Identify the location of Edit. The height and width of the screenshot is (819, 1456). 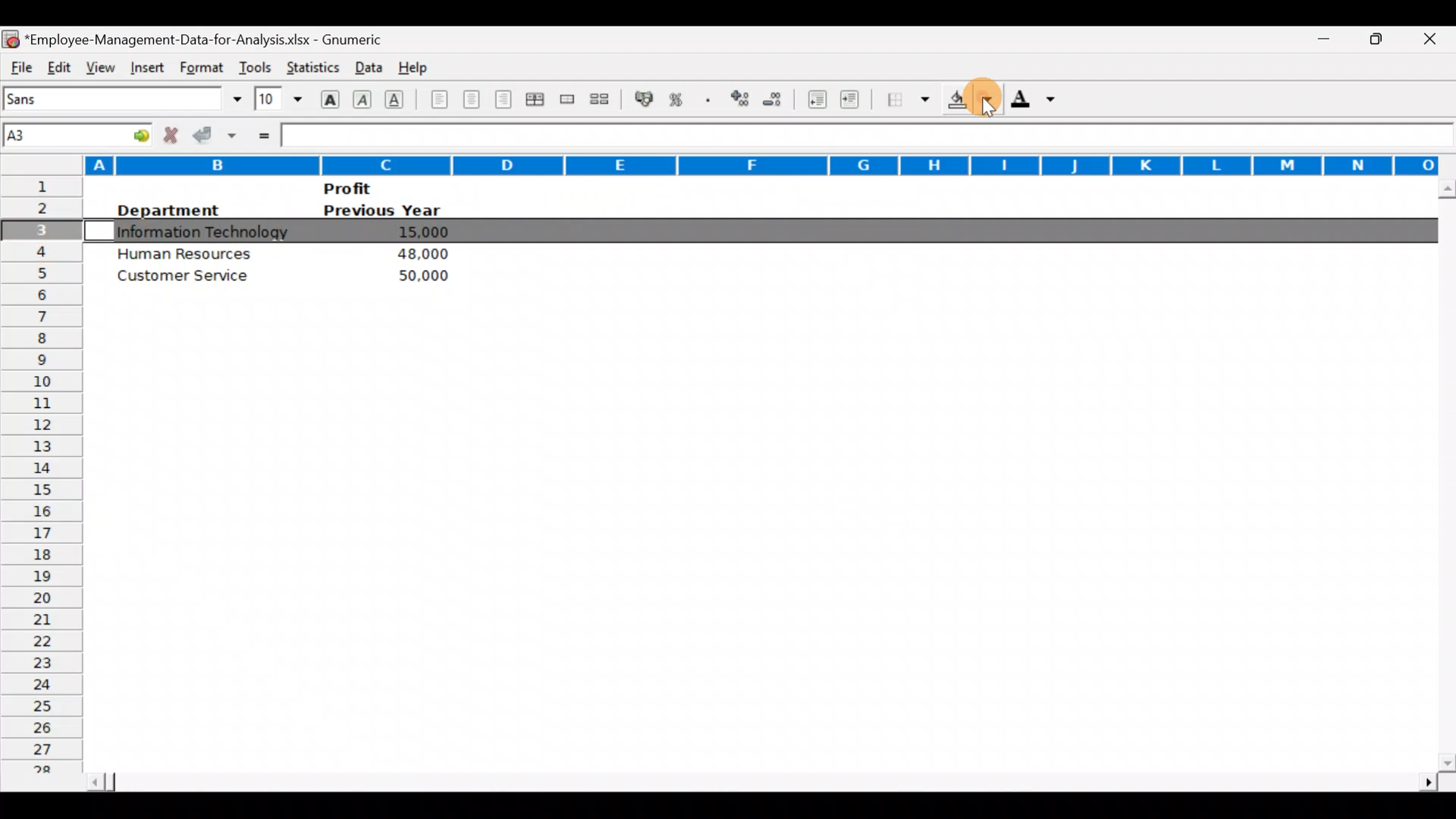
(58, 65).